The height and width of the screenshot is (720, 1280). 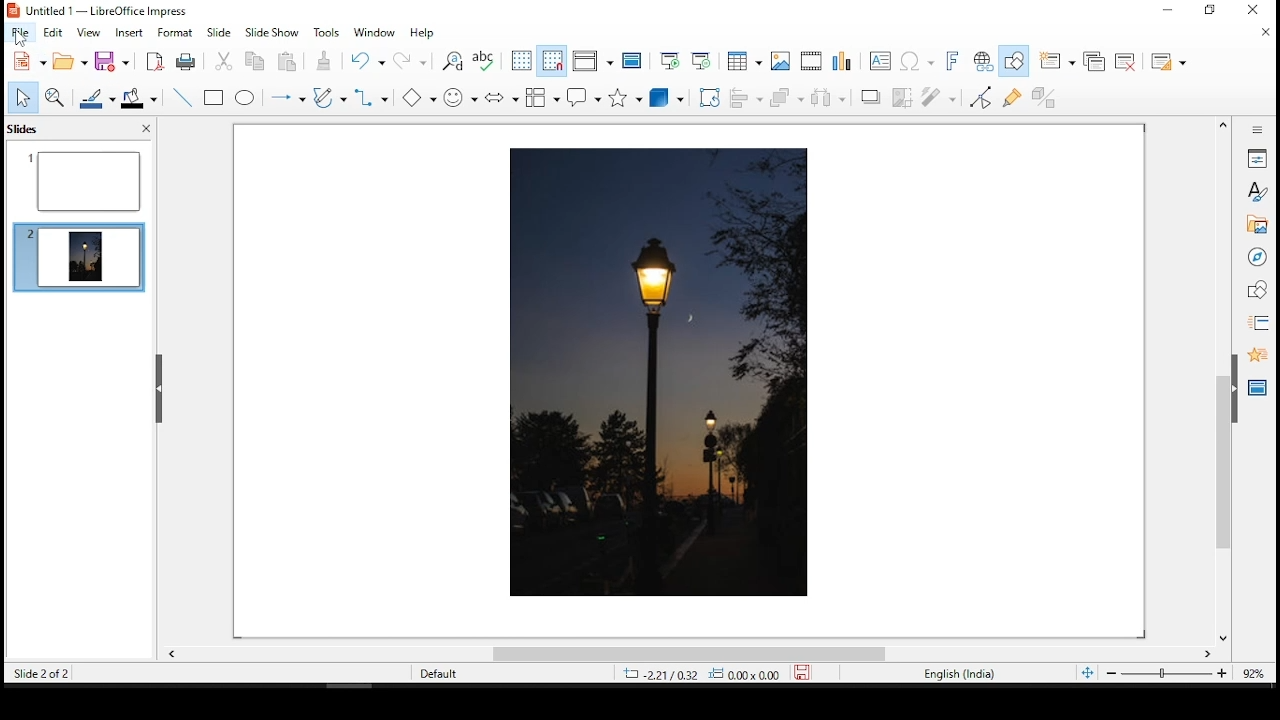 I want to click on scroll bar, so click(x=1223, y=381).